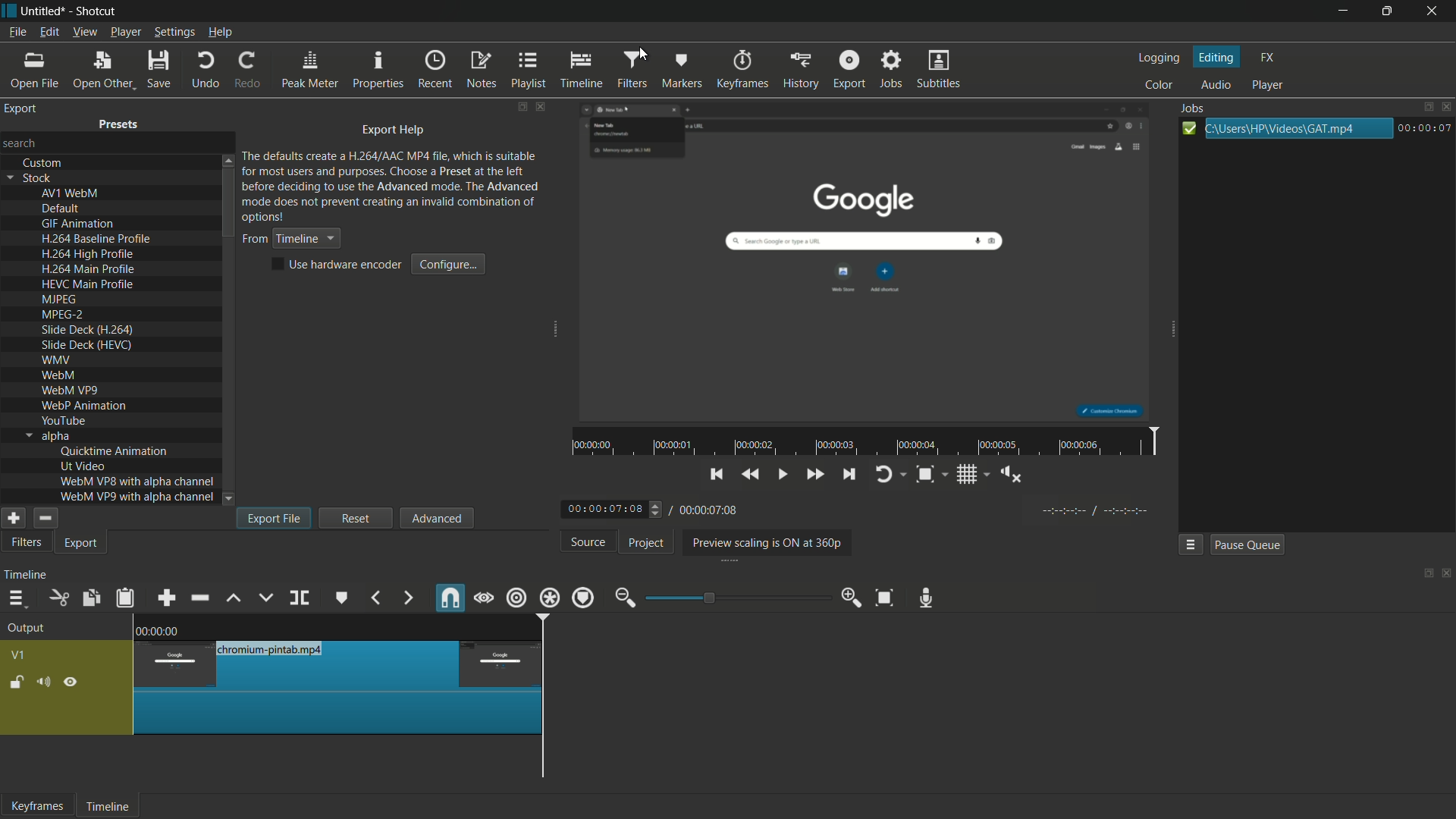 The image size is (1456, 819). Describe the element at coordinates (849, 68) in the screenshot. I see `export` at that location.